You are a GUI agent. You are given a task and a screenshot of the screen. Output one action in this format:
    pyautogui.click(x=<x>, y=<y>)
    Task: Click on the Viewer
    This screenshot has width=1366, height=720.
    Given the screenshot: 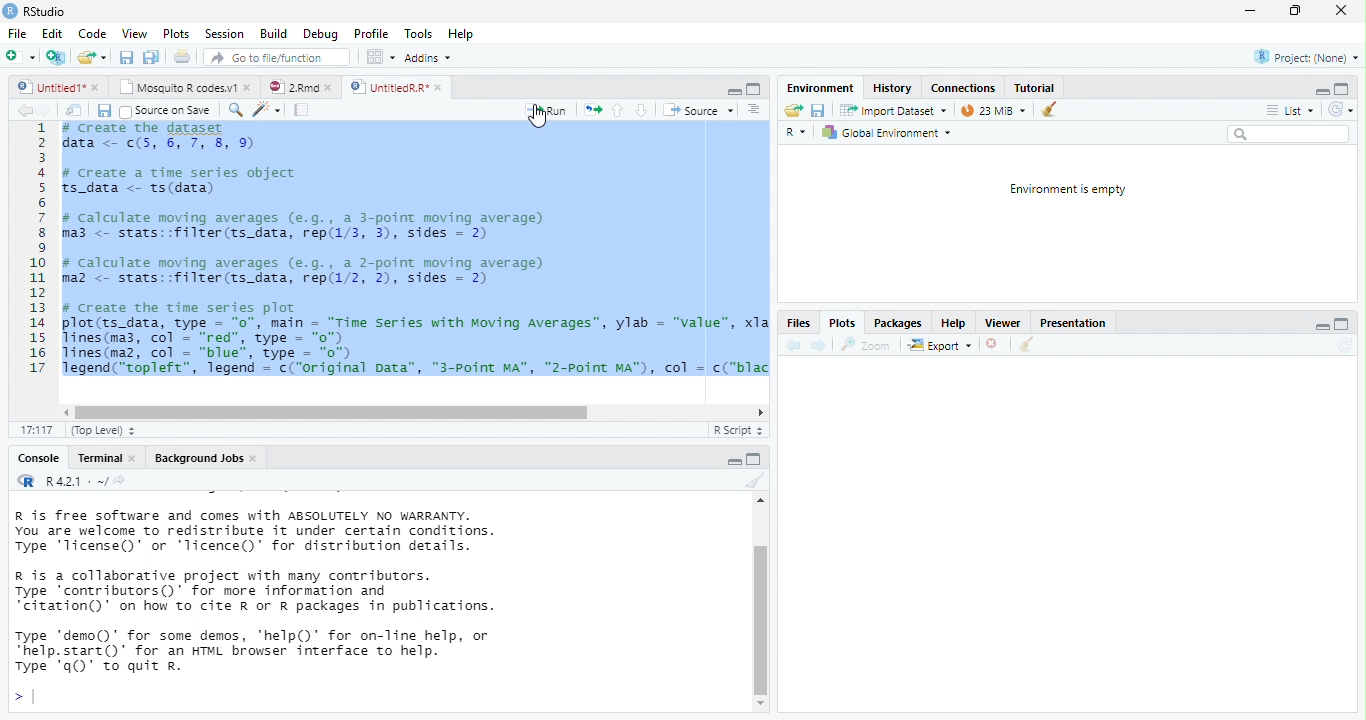 What is the action you would take?
    pyautogui.click(x=1002, y=323)
    